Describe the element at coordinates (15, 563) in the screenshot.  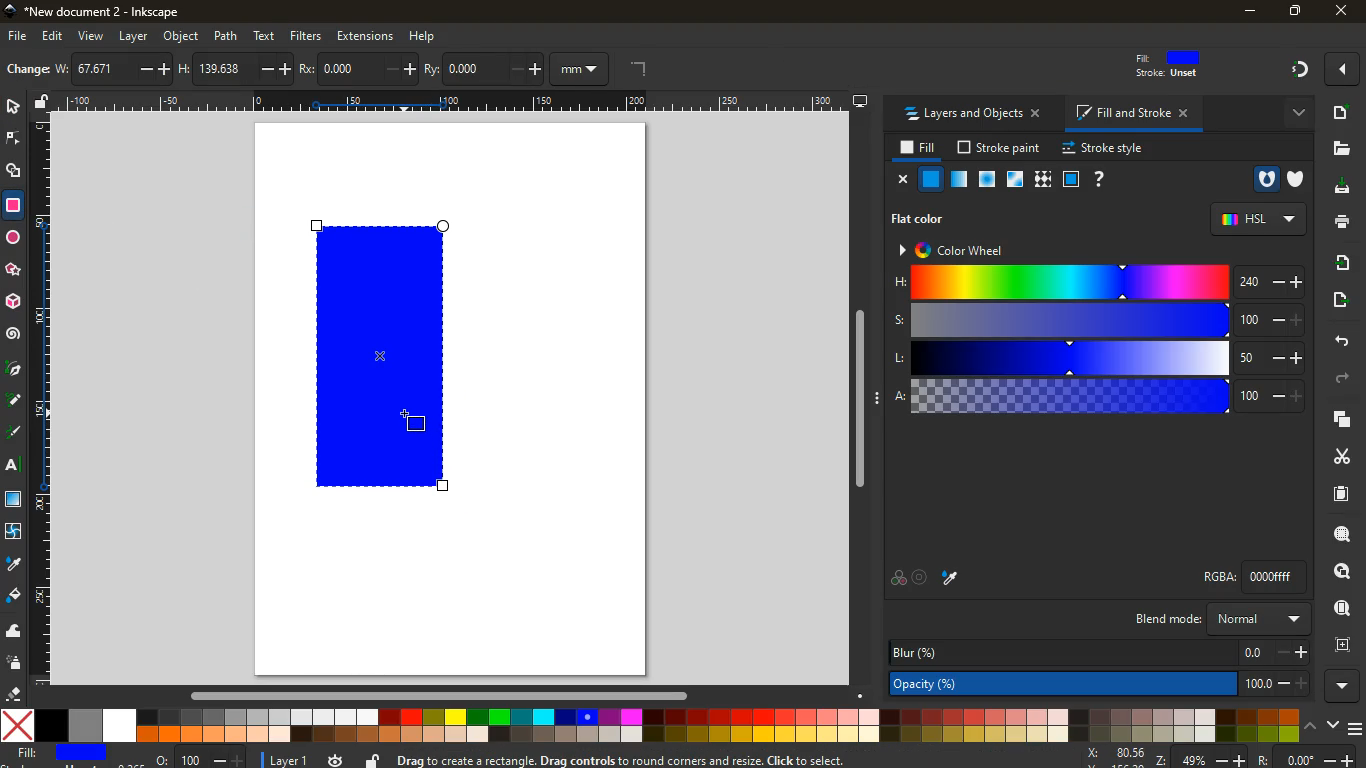
I see `drop` at that location.